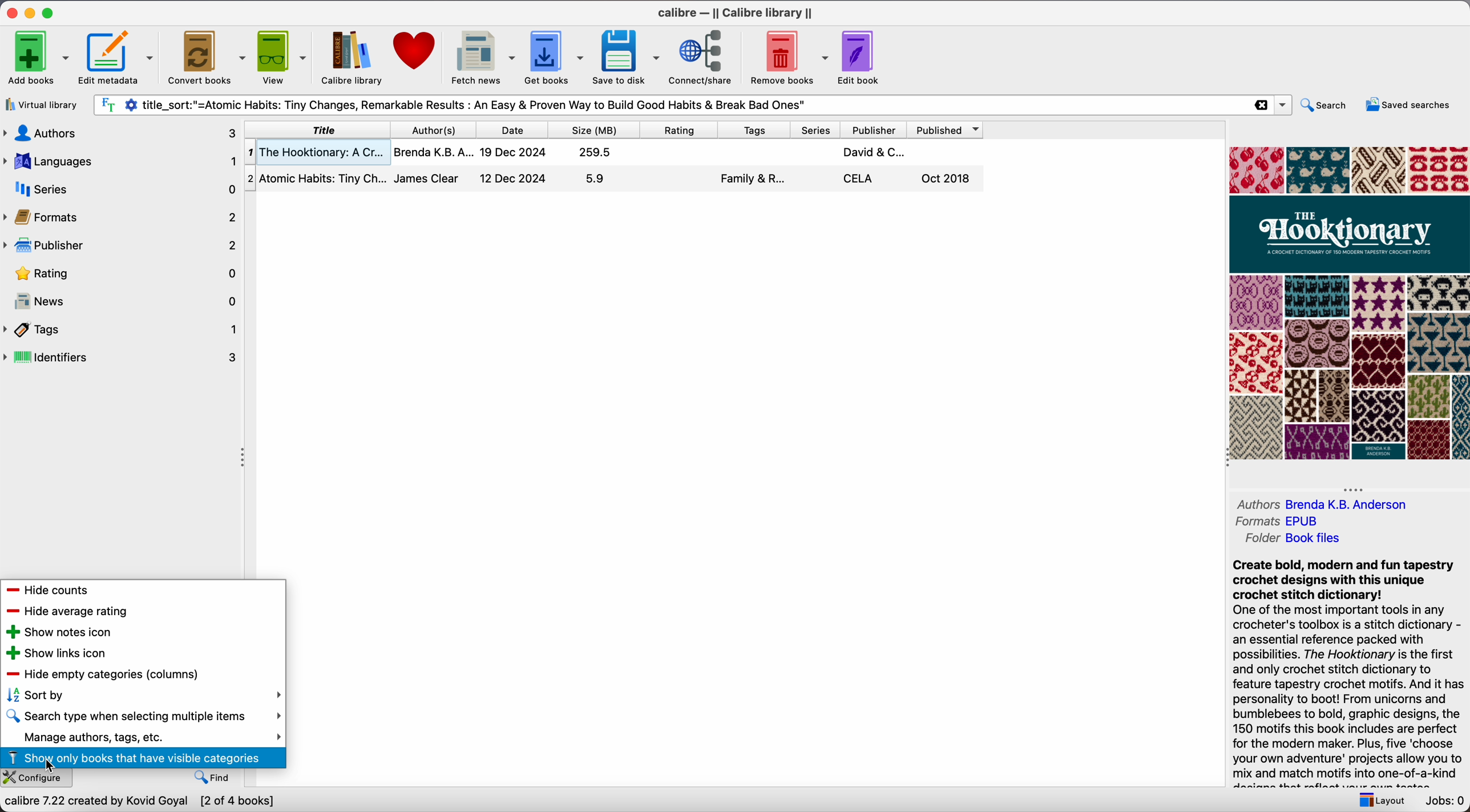 Image resolution: width=1470 pixels, height=812 pixels. Describe the element at coordinates (122, 191) in the screenshot. I see `series` at that location.